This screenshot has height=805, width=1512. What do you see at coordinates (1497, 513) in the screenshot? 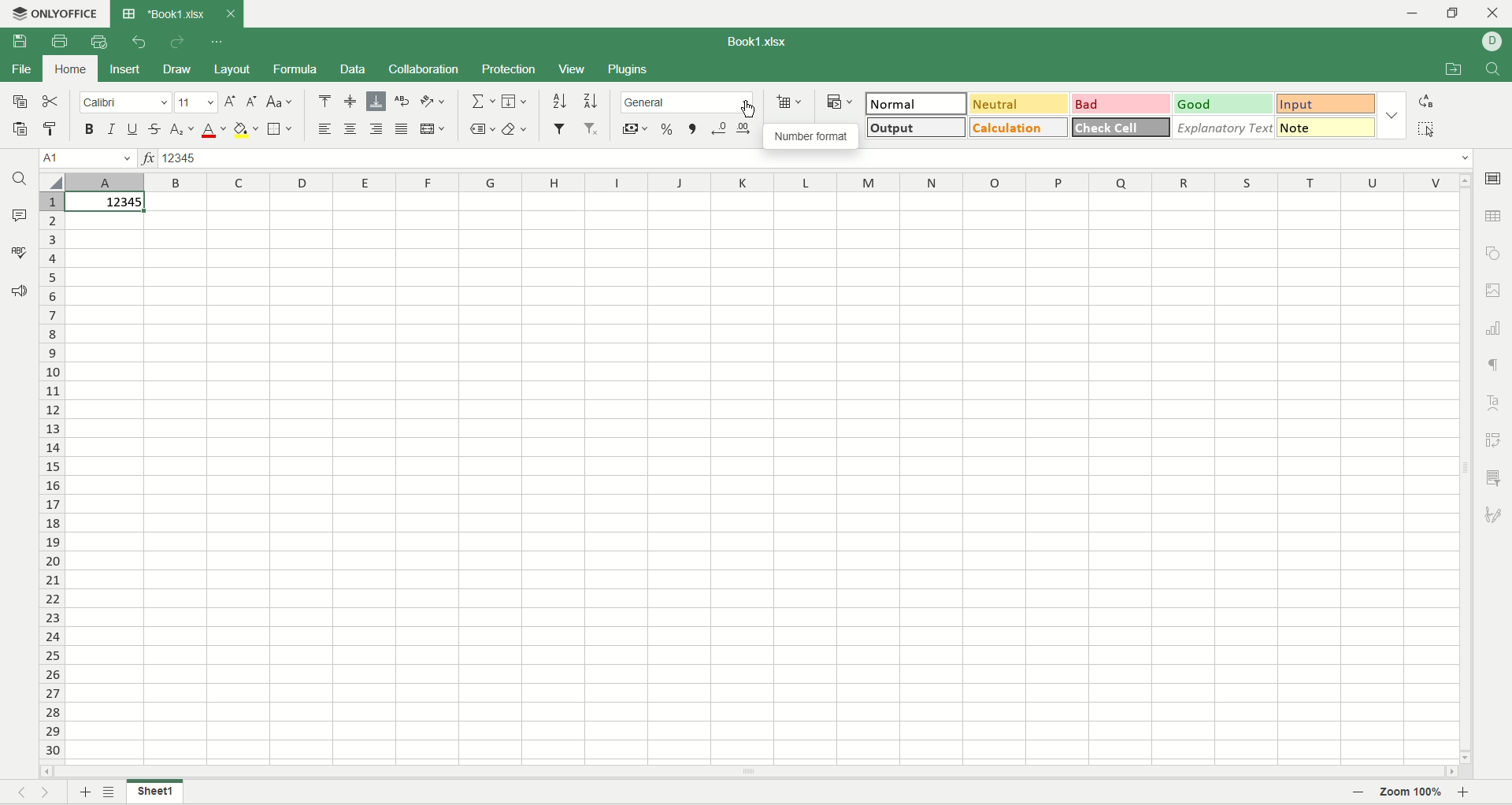
I see `signature settings` at bounding box center [1497, 513].